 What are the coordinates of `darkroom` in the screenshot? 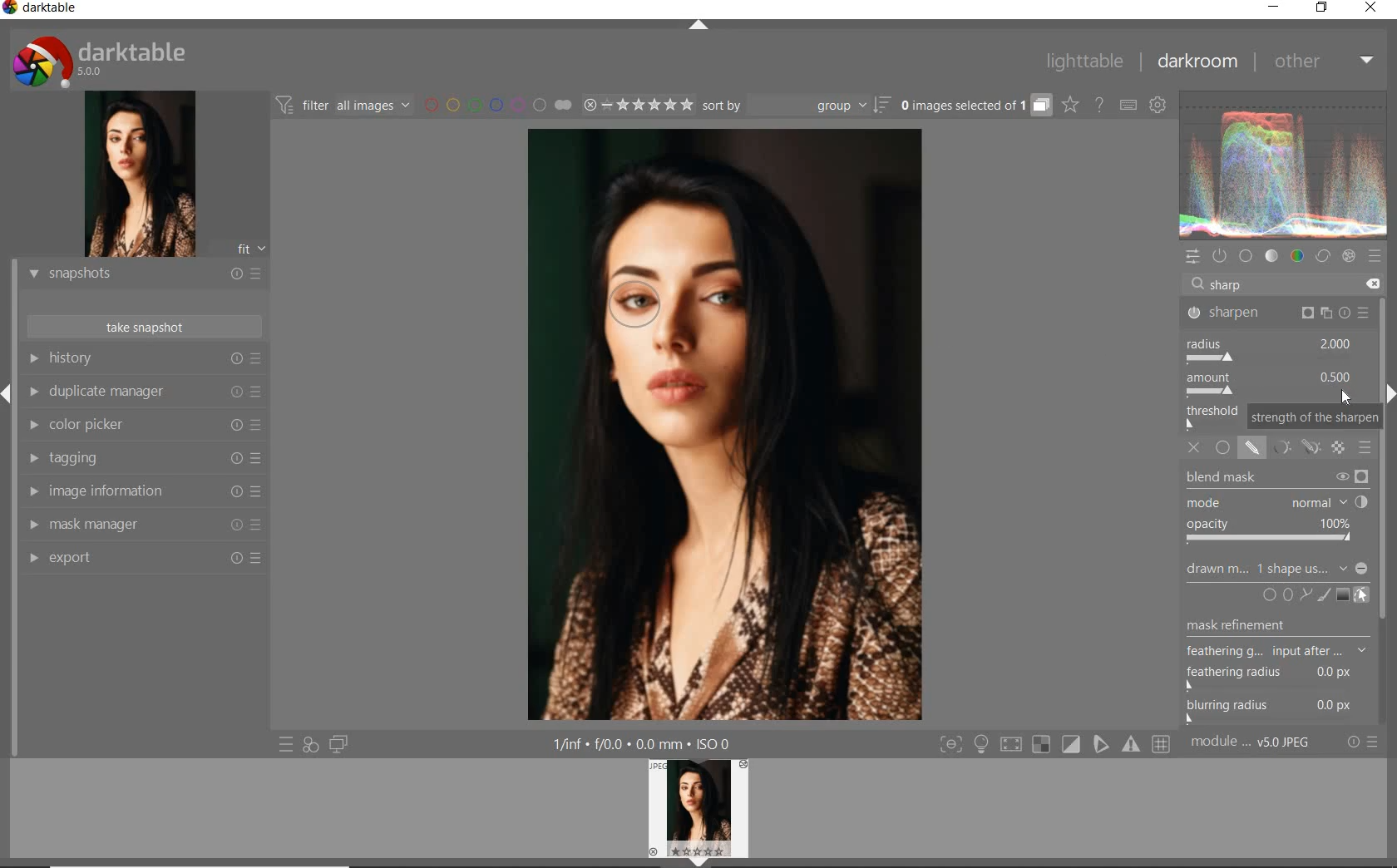 It's located at (1193, 60).